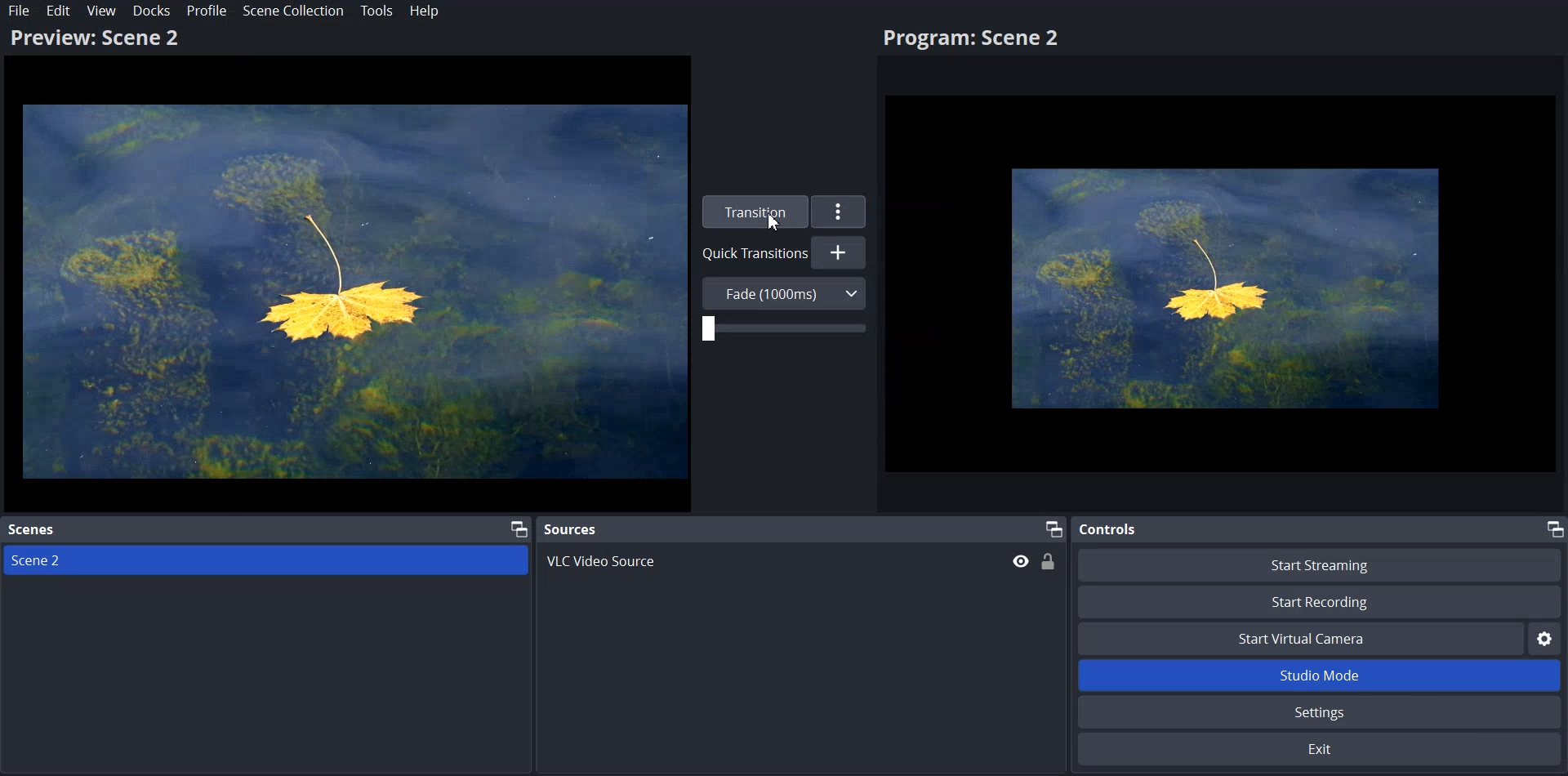 The width and height of the screenshot is (1568, 776). What do you see at coordinates (841, 212) in the screenshot?
I see `More` at bounding box center [841, 212].